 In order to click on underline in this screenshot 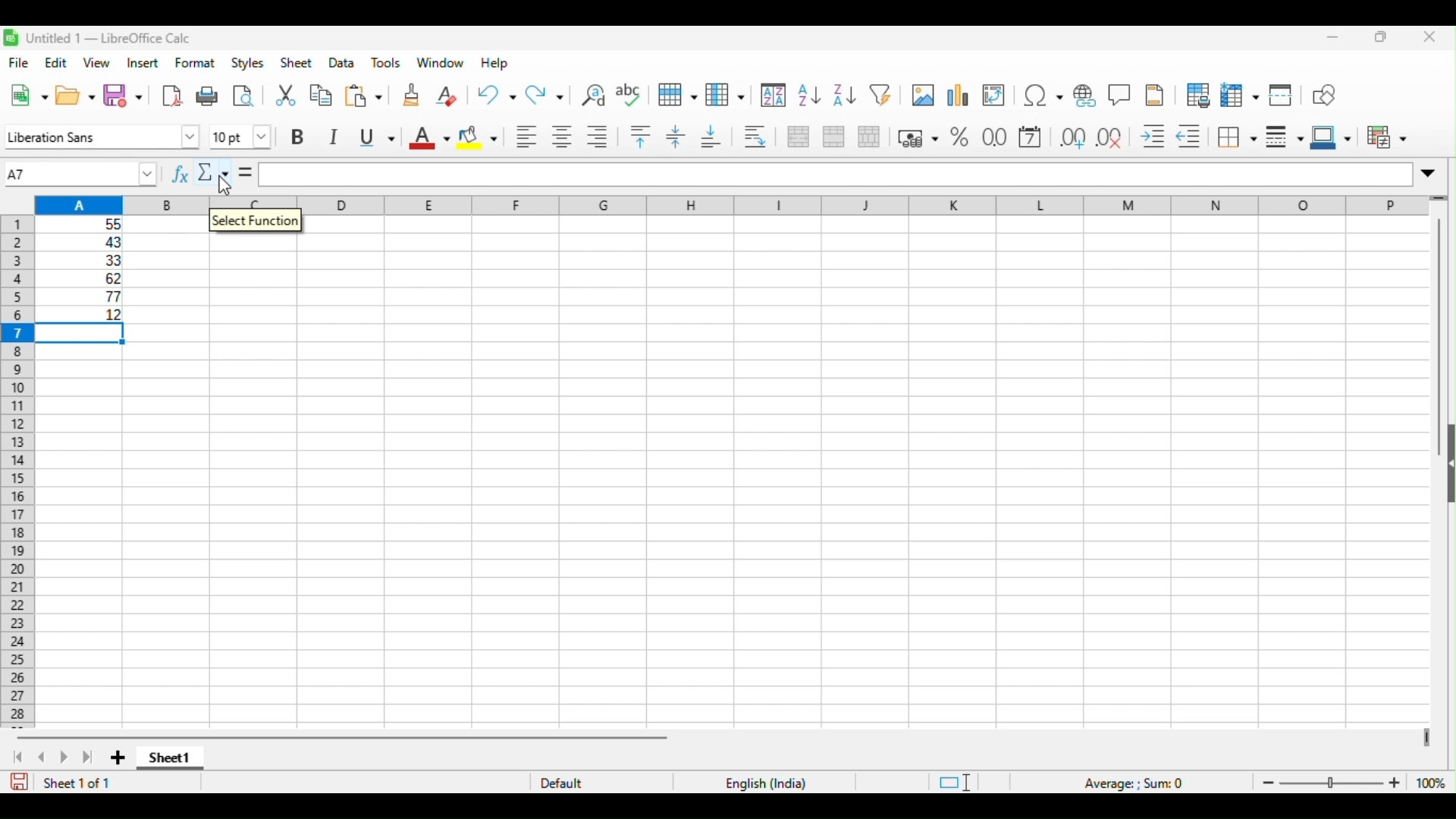, I will do `click(379, 137)`.